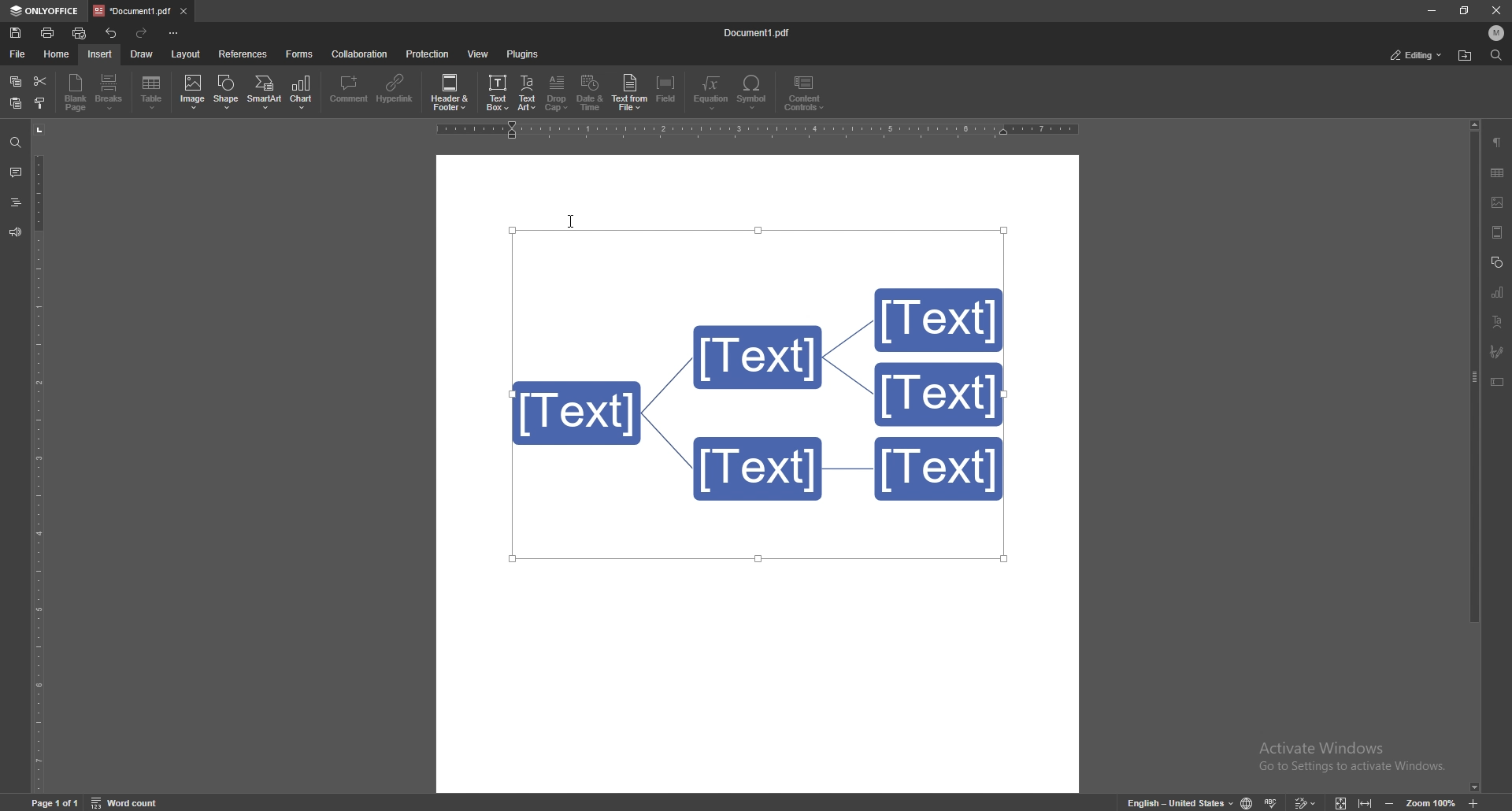 The height and width of the screenshot is (811, 1512). I want to click on image, so click(192, 92).